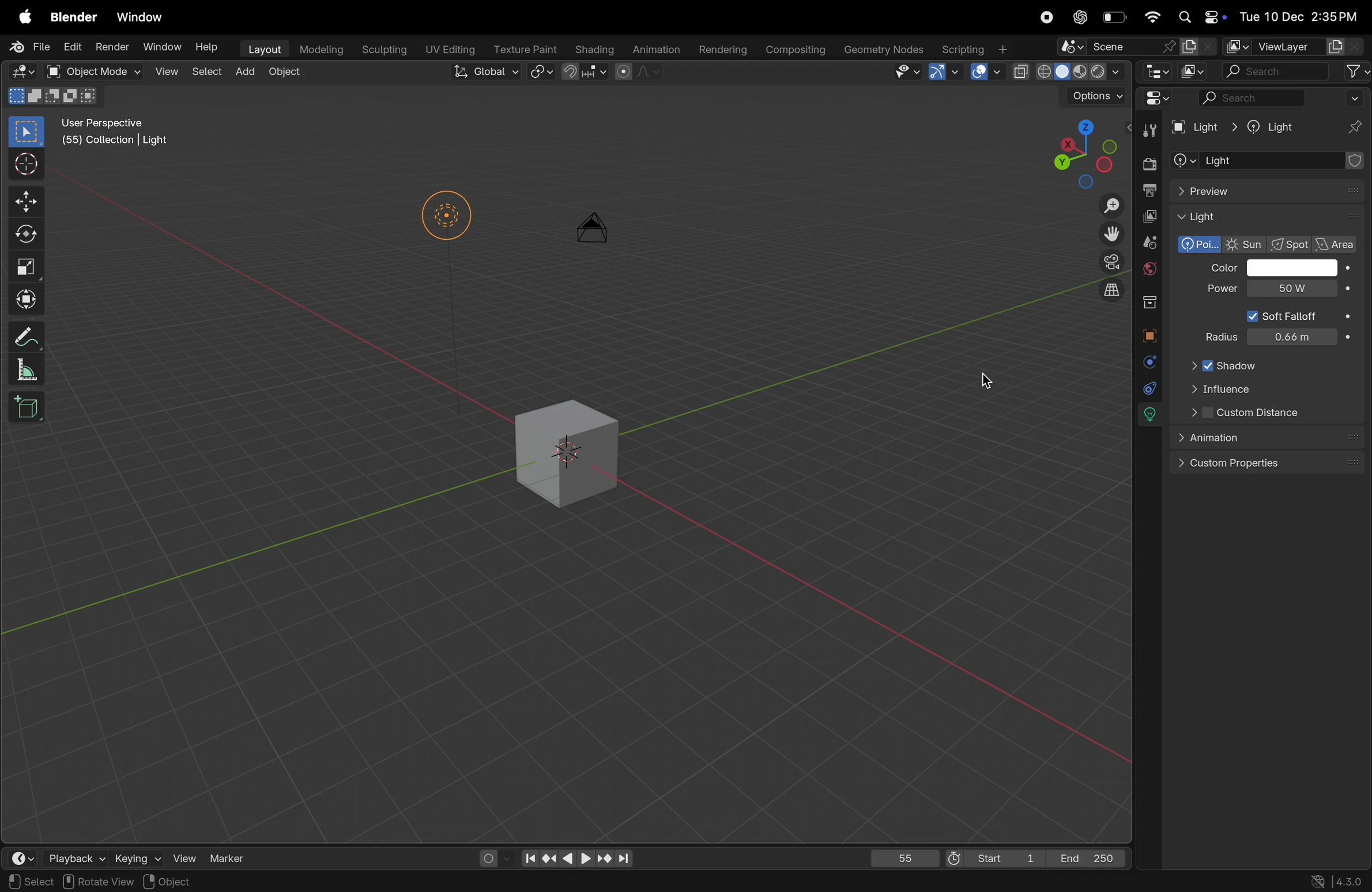  Describe the element at coordinates (1046, 17) in the screenshot. I see `record` at that location.